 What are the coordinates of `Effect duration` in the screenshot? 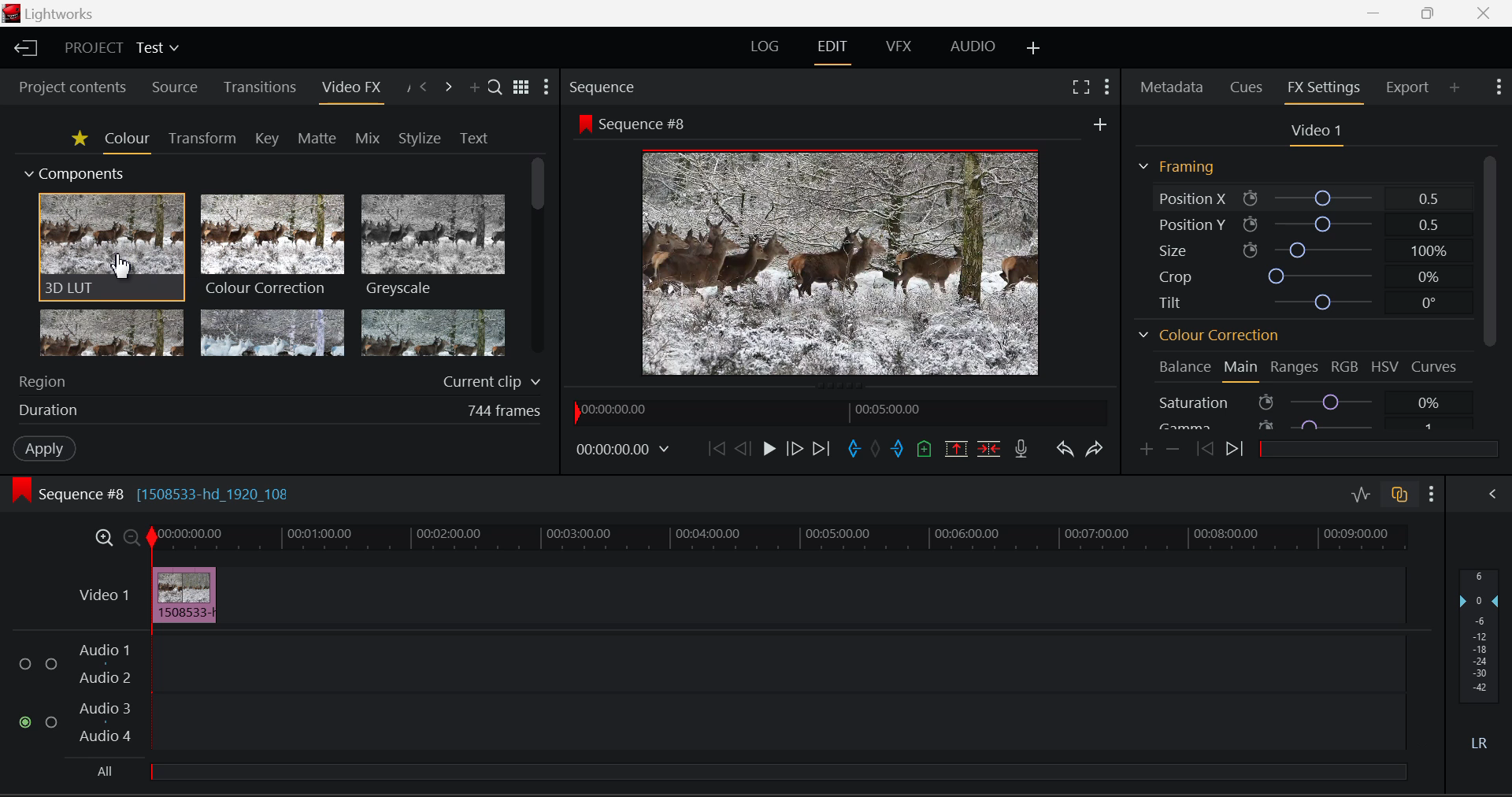 It's located at (277, 410).